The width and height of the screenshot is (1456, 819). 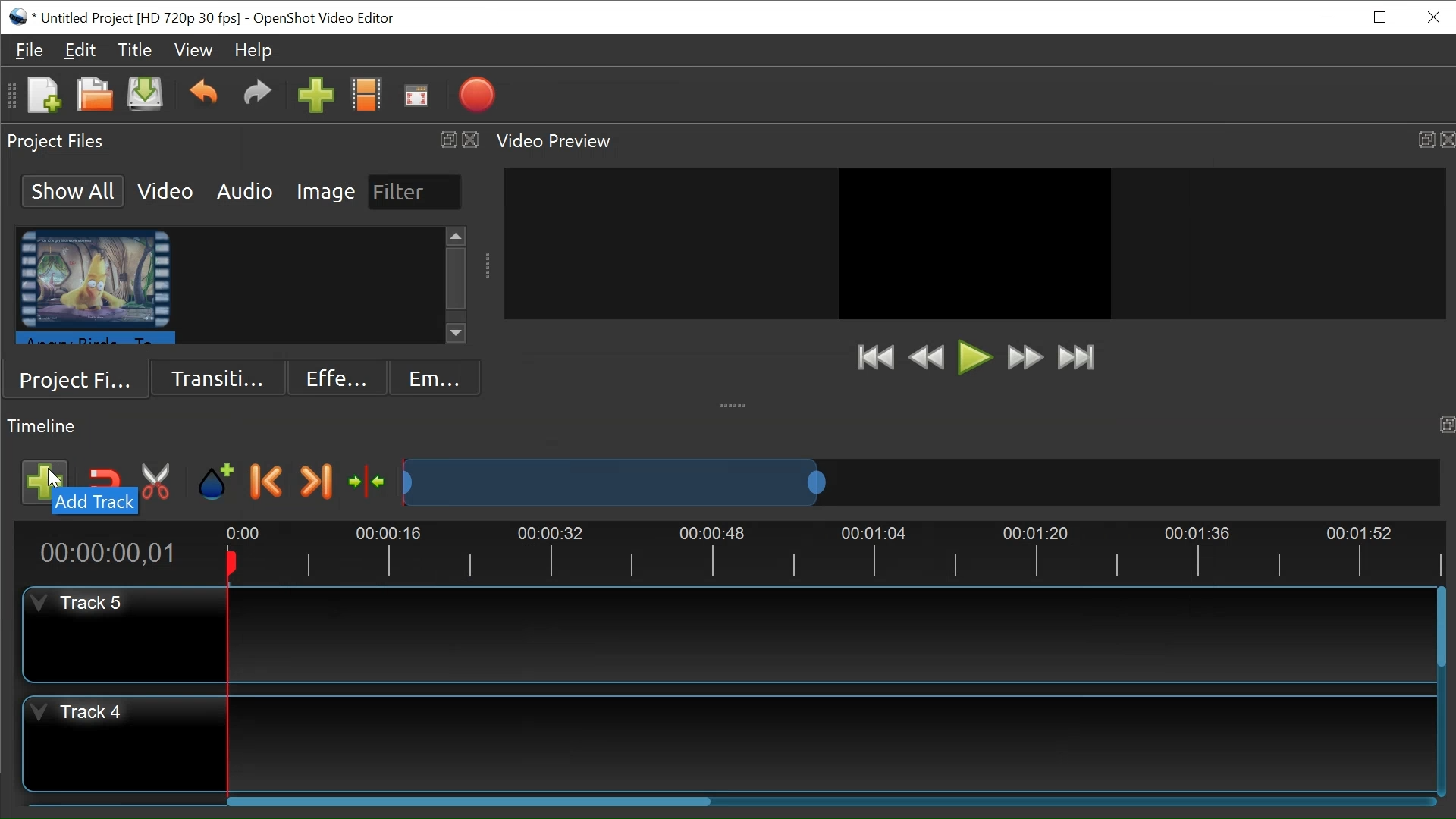 I want to click on Import Files, so click(x=315, y=93).